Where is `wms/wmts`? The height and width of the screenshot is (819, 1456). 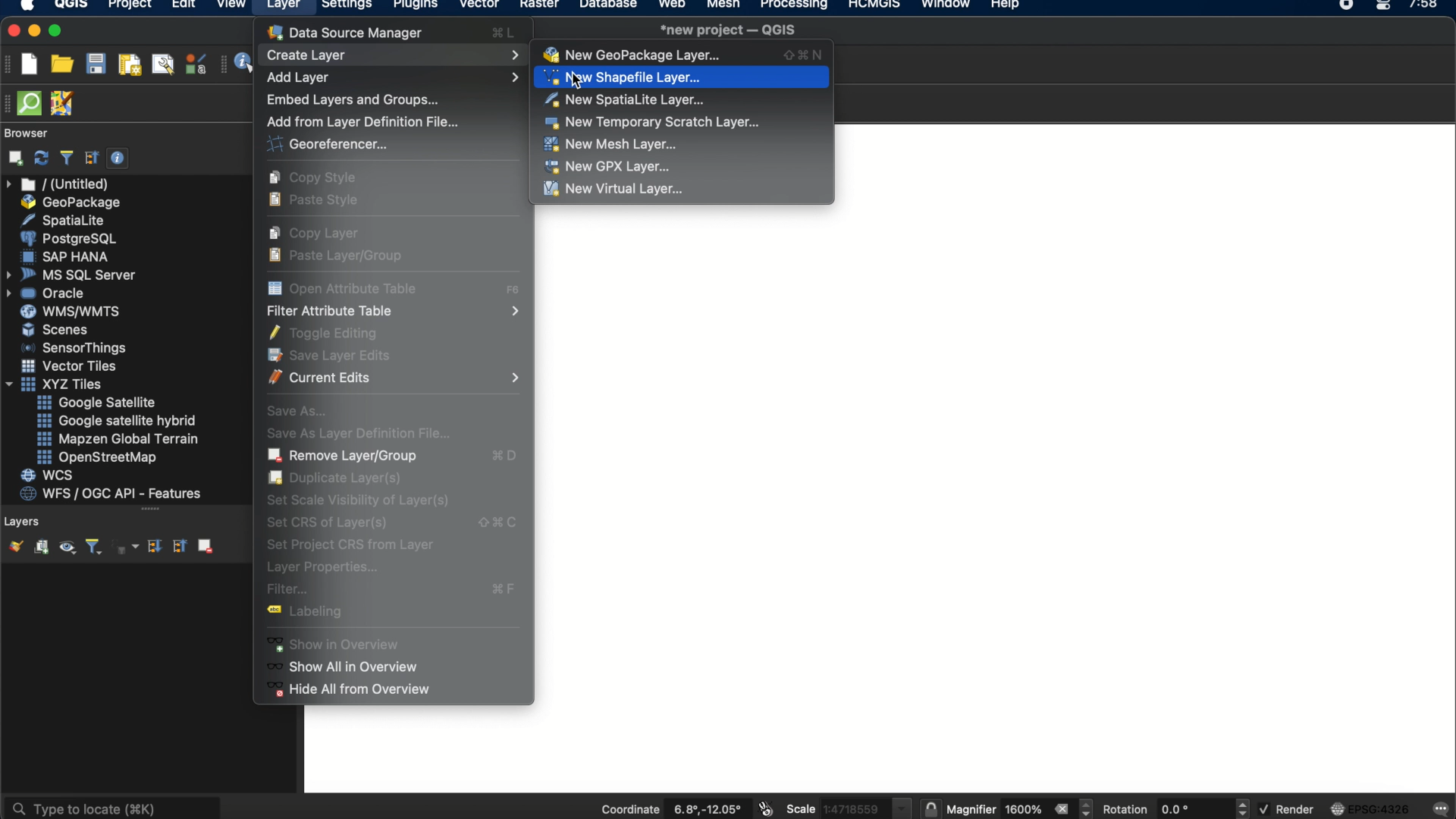
wms/wmts is located at coordinates (70, 312).